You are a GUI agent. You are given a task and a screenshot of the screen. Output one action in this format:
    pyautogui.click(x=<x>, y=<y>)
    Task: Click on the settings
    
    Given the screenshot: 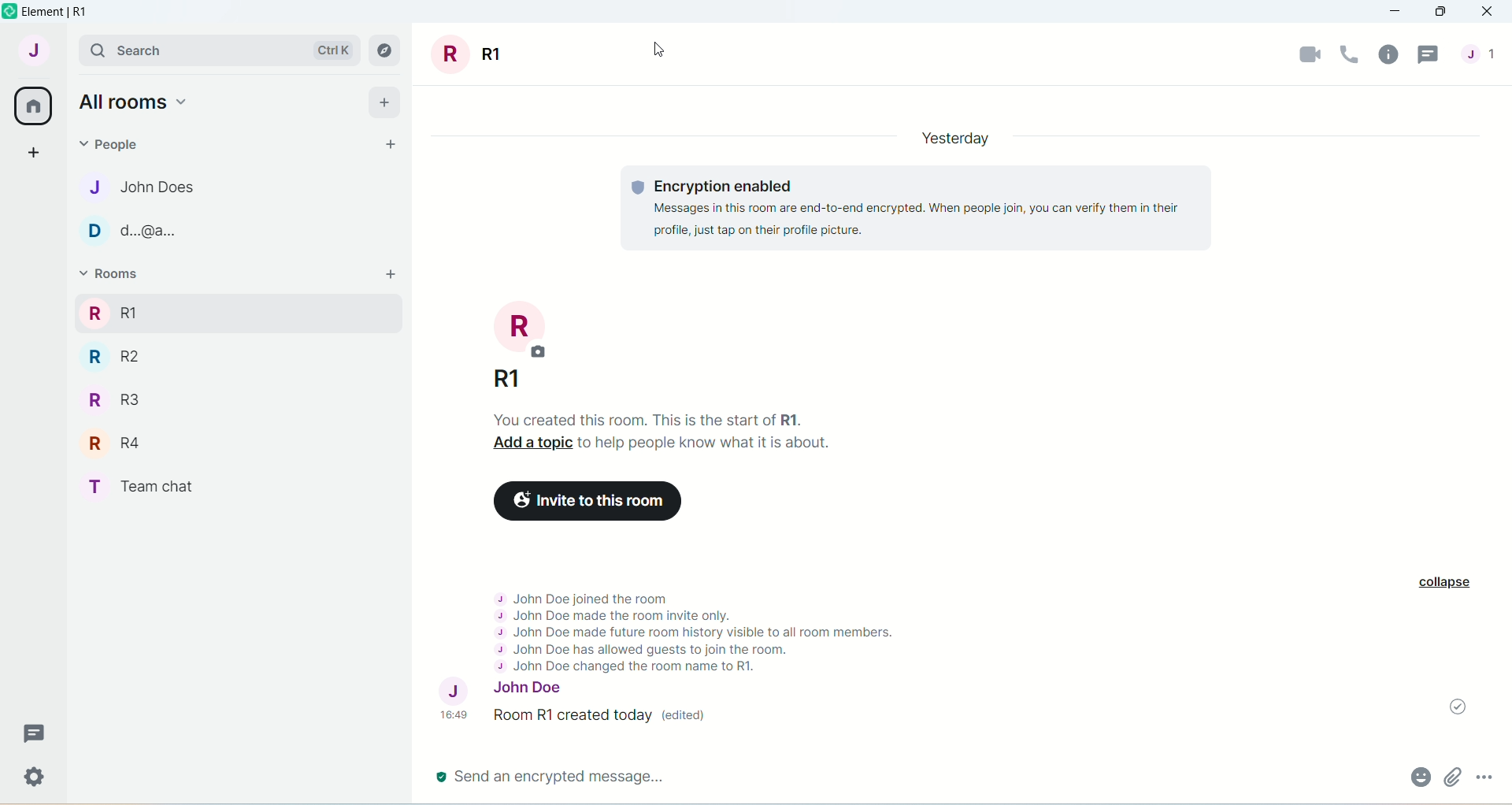 What is the action you would take?
    pyautogui.click(x=35, y=777)
    